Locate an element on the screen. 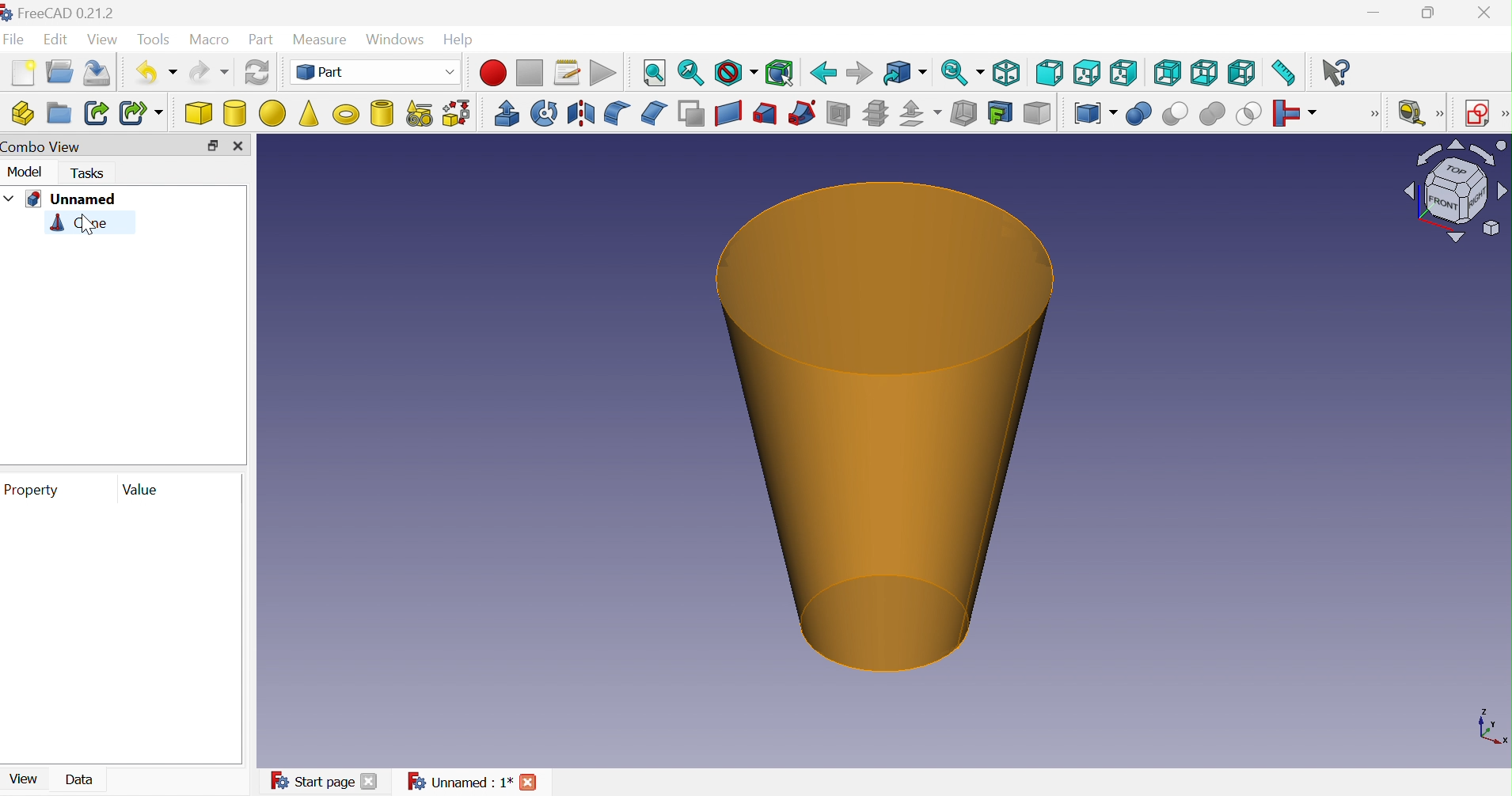 The image size is (1512, 796). Unnamed : 1* is located at coordinates (459, 780).